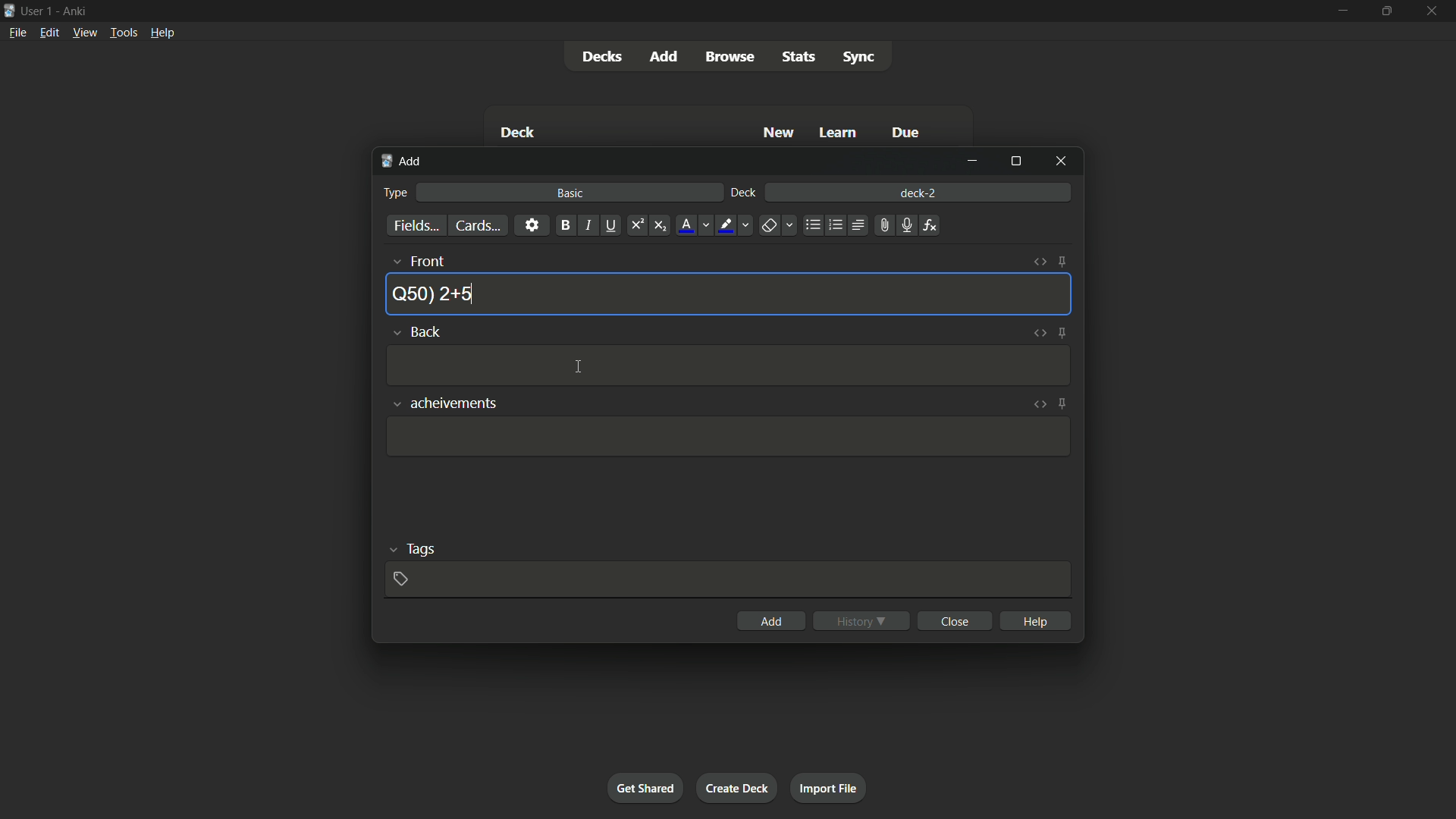 This screenshot has width=1456, height=819. Describe the element at coordinates (1037, 333) in the screenshot. I see `toggle html editor` at that location.